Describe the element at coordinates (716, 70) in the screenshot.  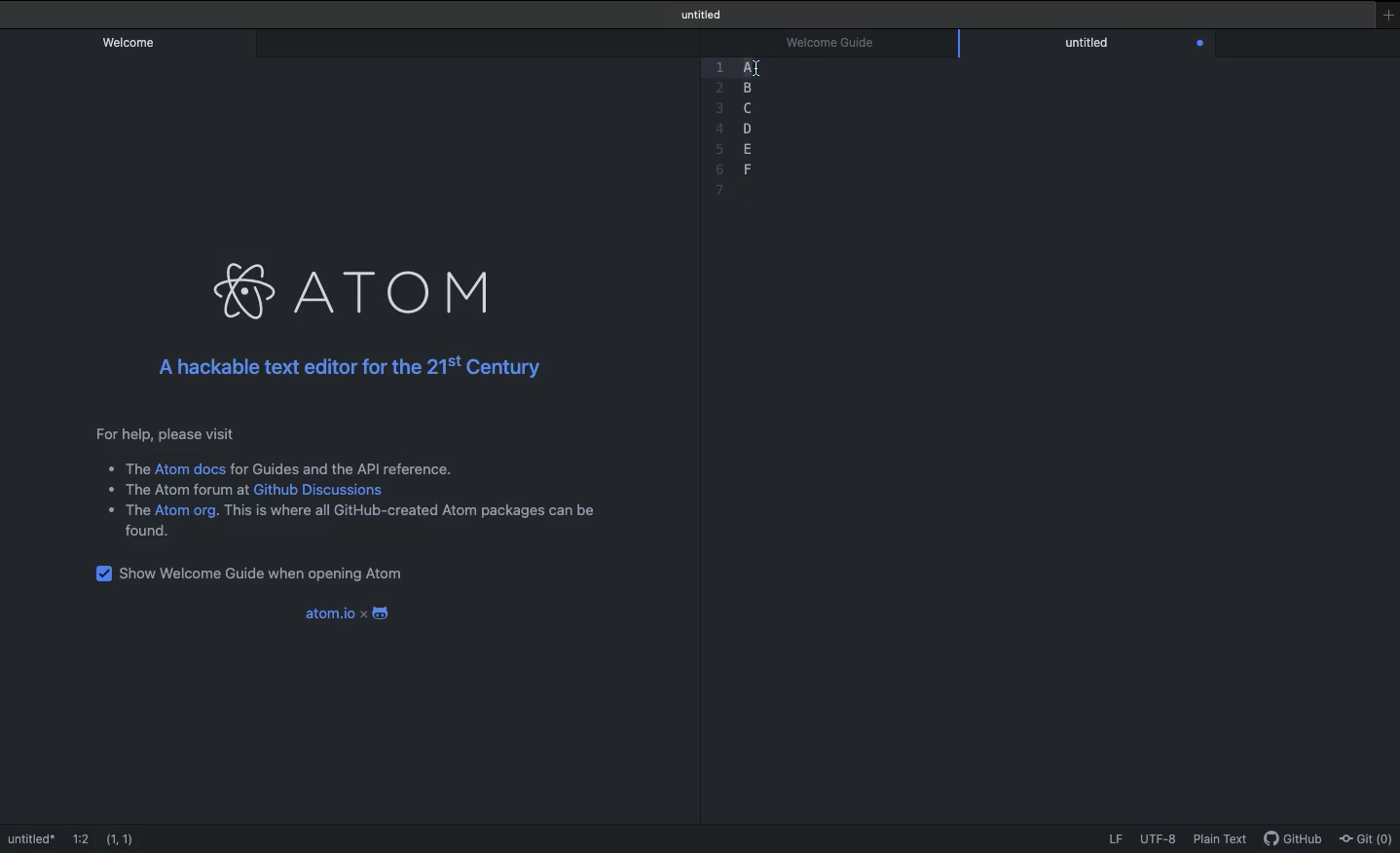
I see `1` at that location.